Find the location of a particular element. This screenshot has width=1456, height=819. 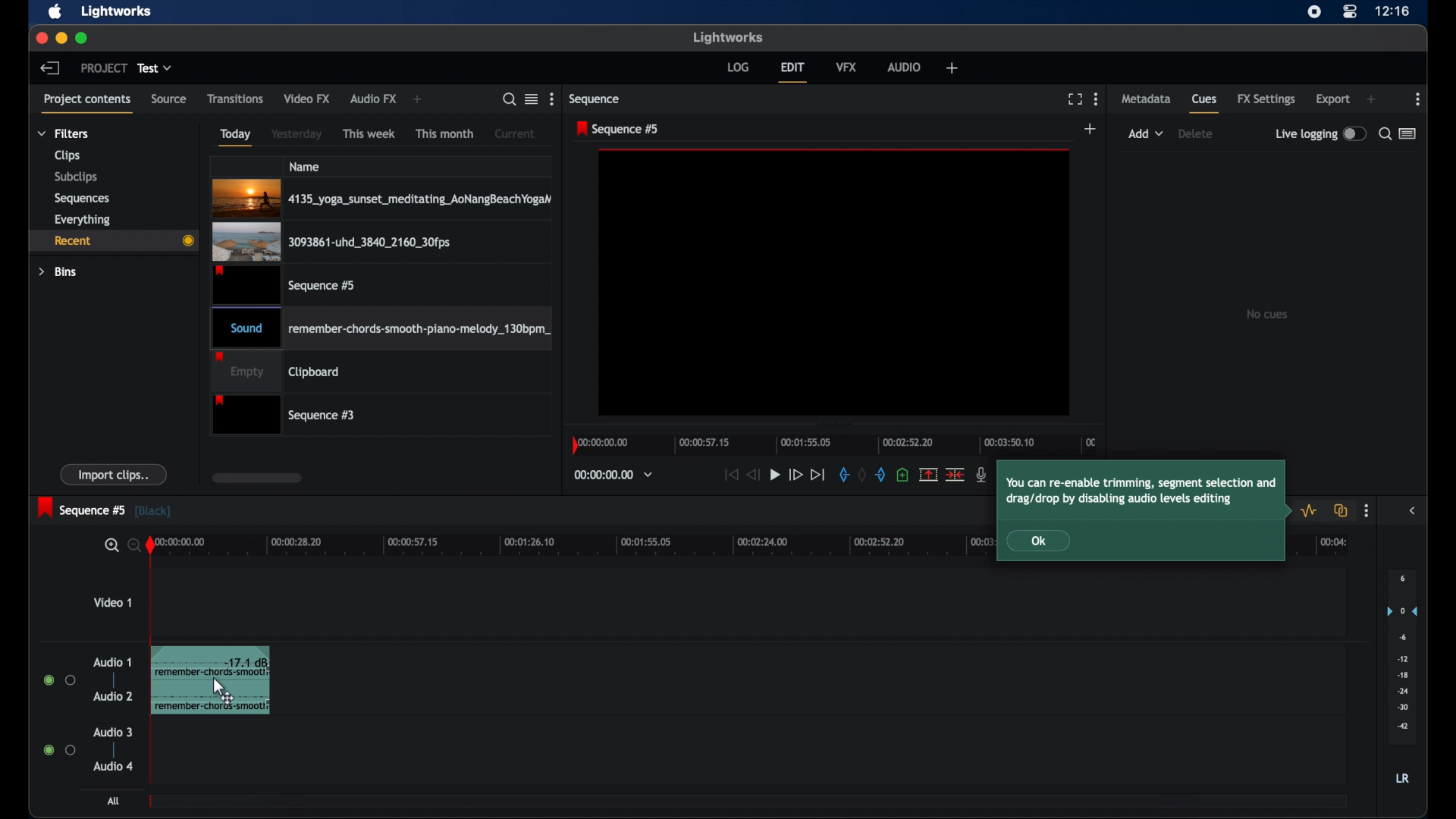

-17.1 db is located at coordinates (246, 664).